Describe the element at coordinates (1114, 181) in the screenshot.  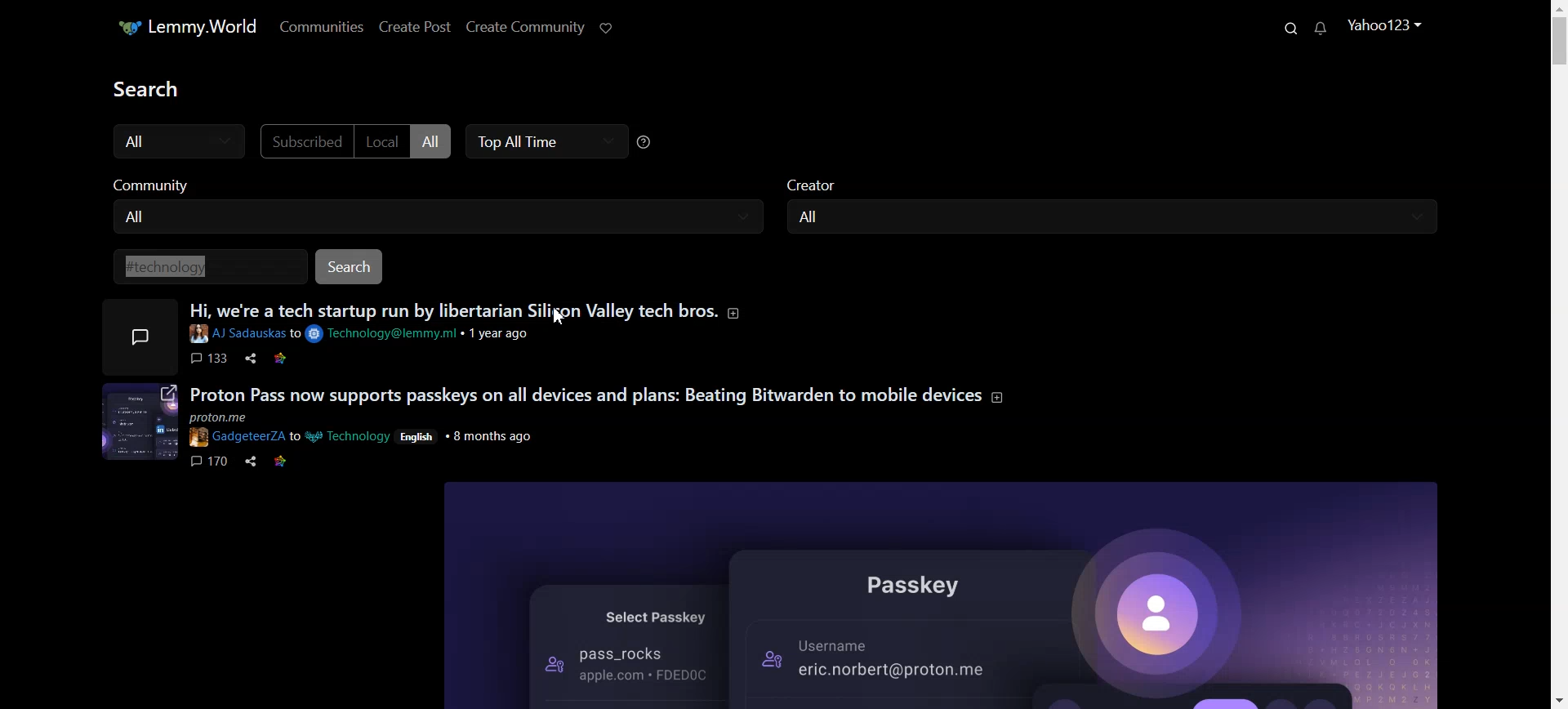
I see `Creator` at that location.